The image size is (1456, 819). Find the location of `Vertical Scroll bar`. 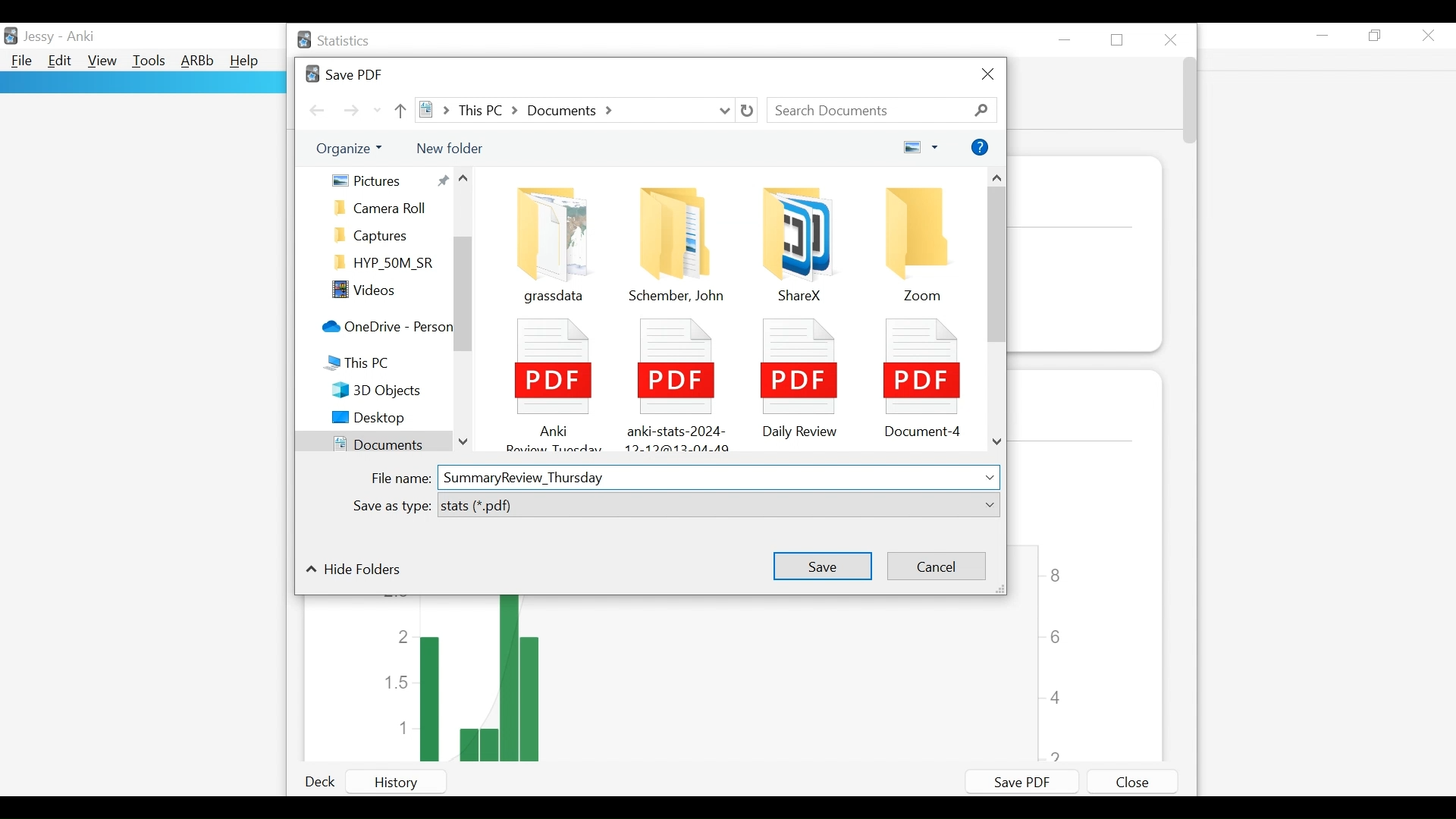

Vertical Scroll bar is located at coordinates (463, 296).